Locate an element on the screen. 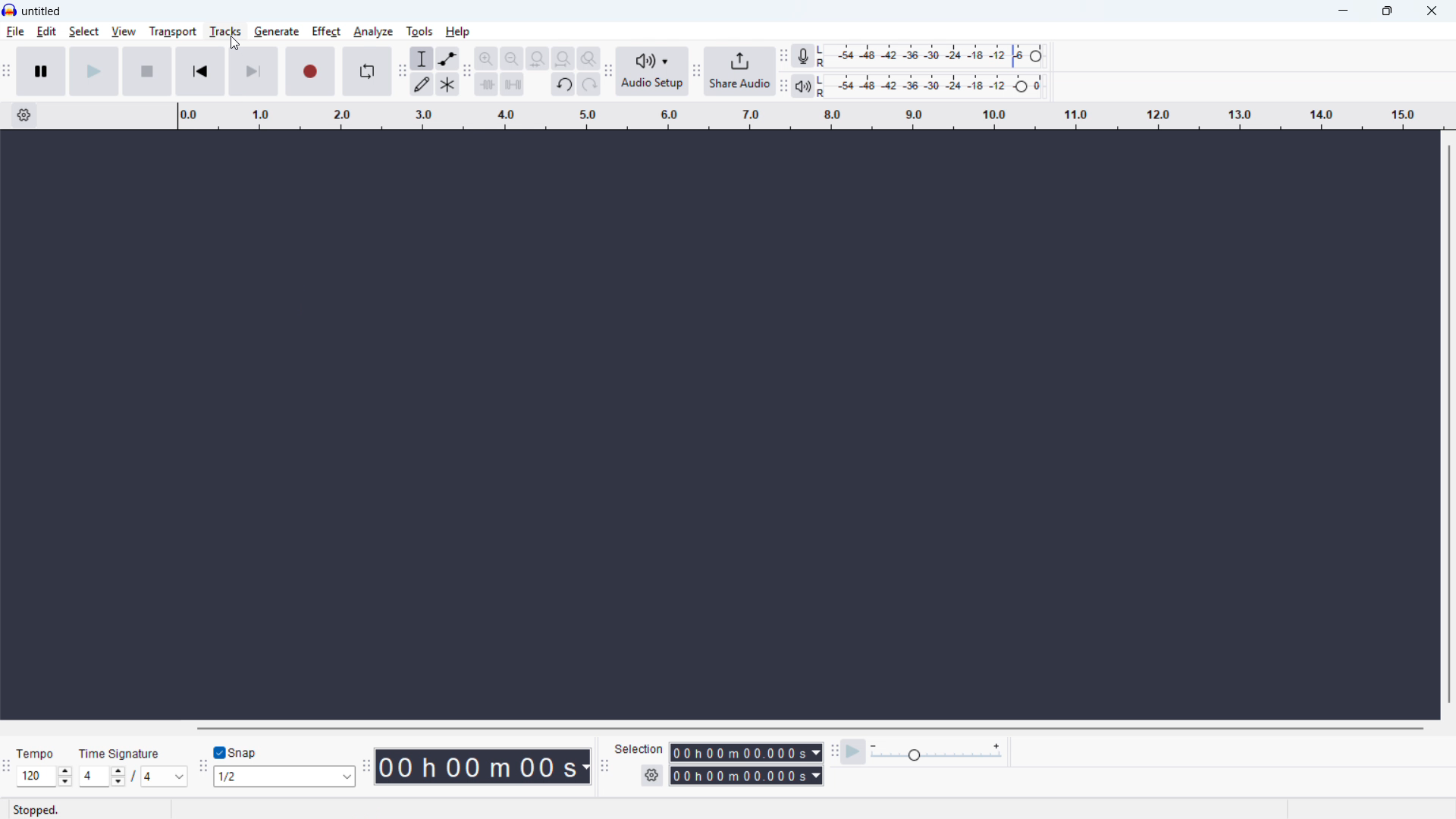 This screenshot has width=1456, height=819. Vertical scroll bar  is located at coordinates (1450, 422).